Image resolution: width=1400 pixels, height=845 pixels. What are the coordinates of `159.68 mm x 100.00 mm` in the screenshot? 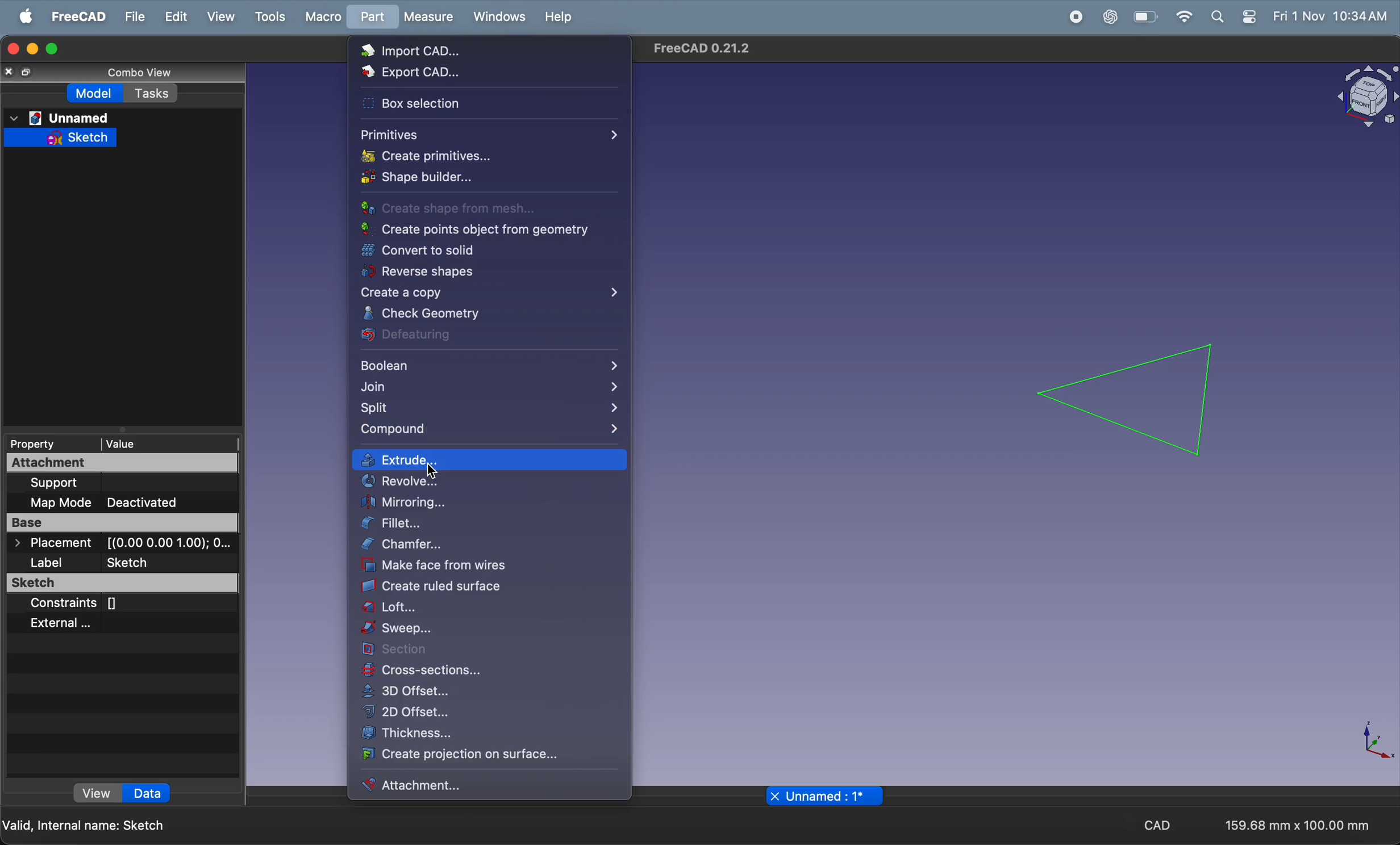 It's located at (1296, 826).